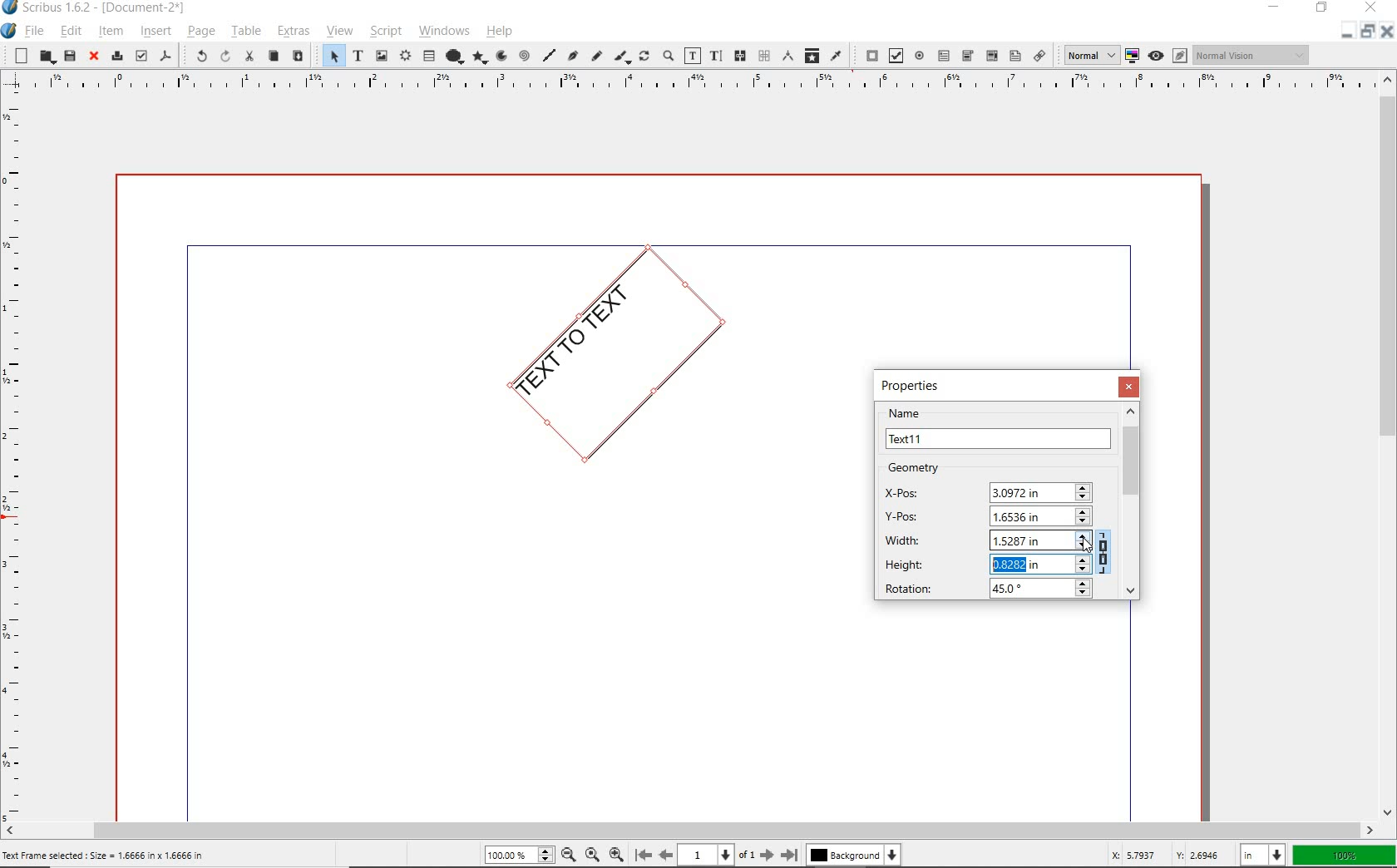 Image resolution: width=1397 pixels, height=868 pixels. Describe the element at coordinates (1370, 34) in the screenshot. I see `restore` at that location.